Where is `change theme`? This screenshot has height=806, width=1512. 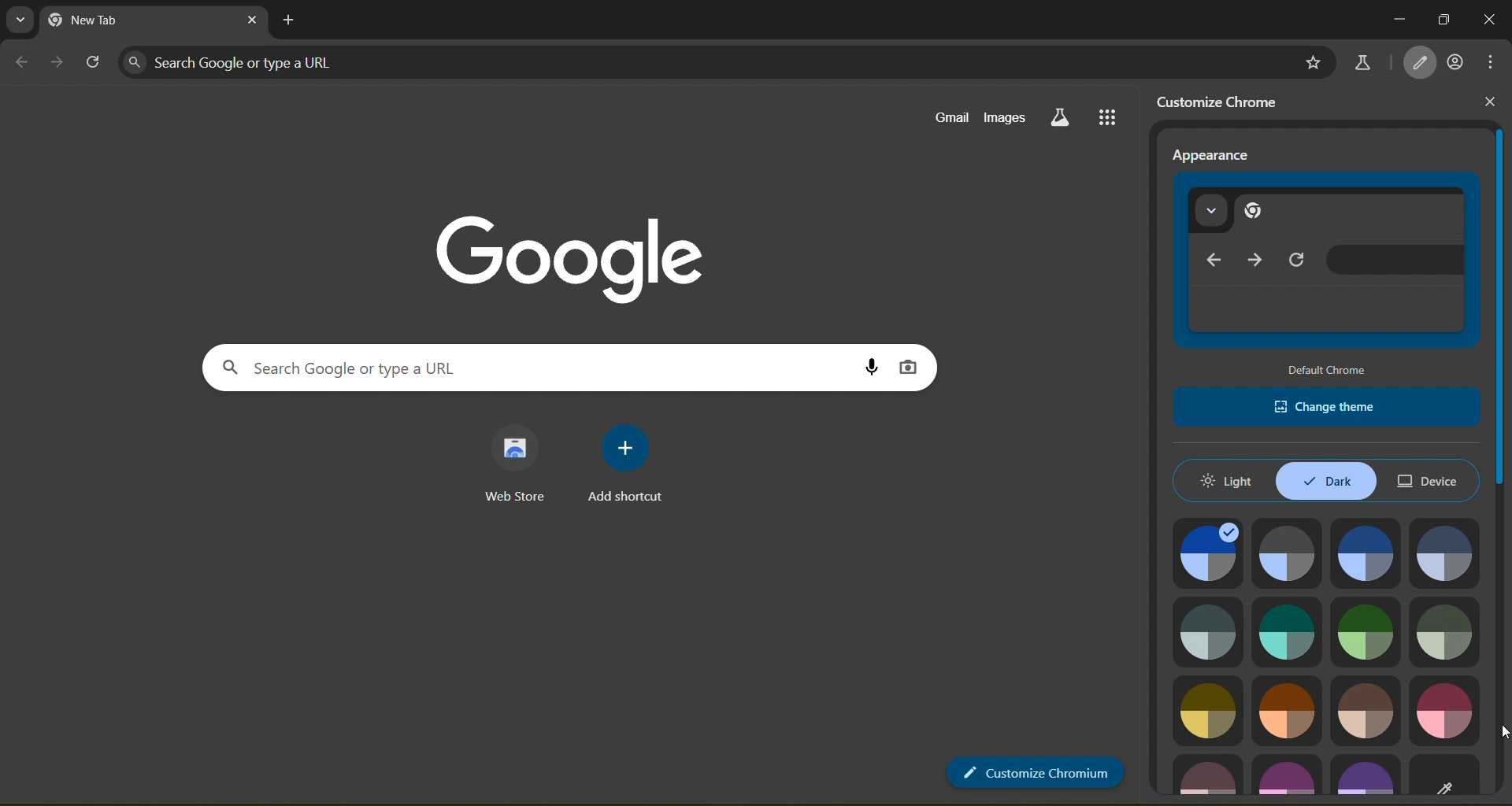
change theme is located at coordinates (1332, 406).